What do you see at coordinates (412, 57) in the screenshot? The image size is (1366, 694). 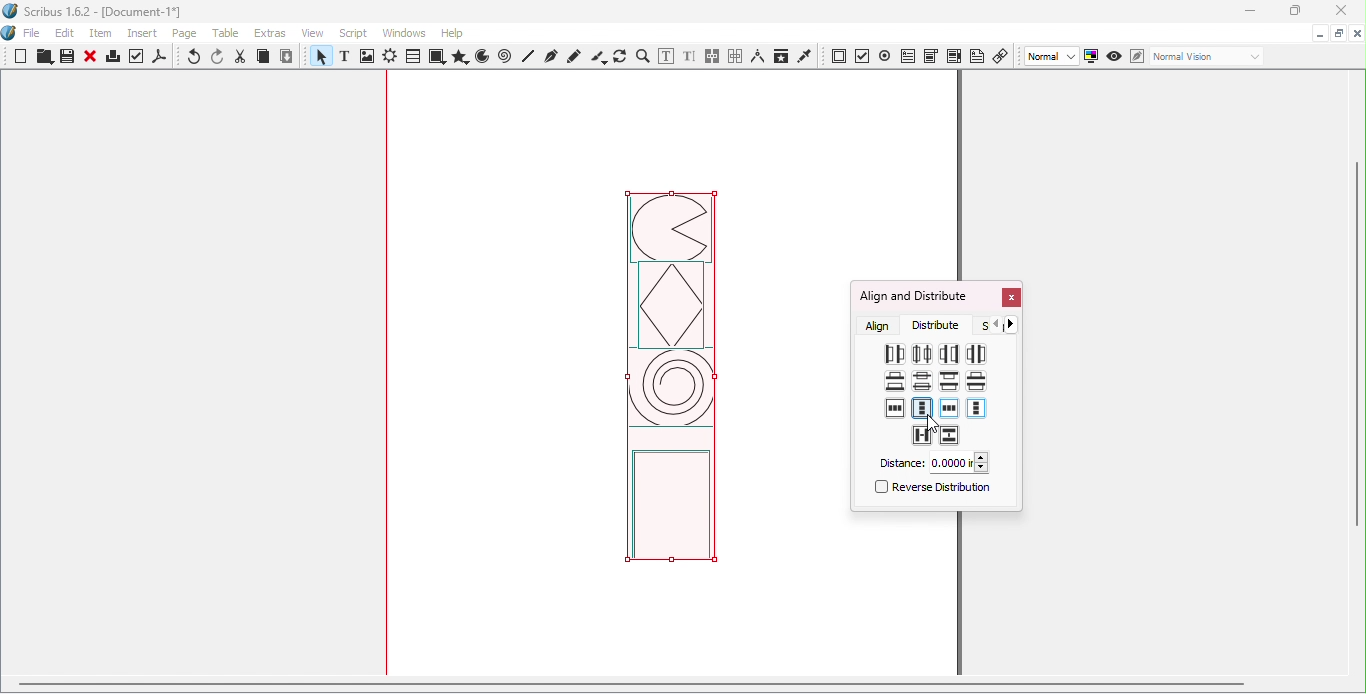 I see `Table` at bounding box center [412, 57].